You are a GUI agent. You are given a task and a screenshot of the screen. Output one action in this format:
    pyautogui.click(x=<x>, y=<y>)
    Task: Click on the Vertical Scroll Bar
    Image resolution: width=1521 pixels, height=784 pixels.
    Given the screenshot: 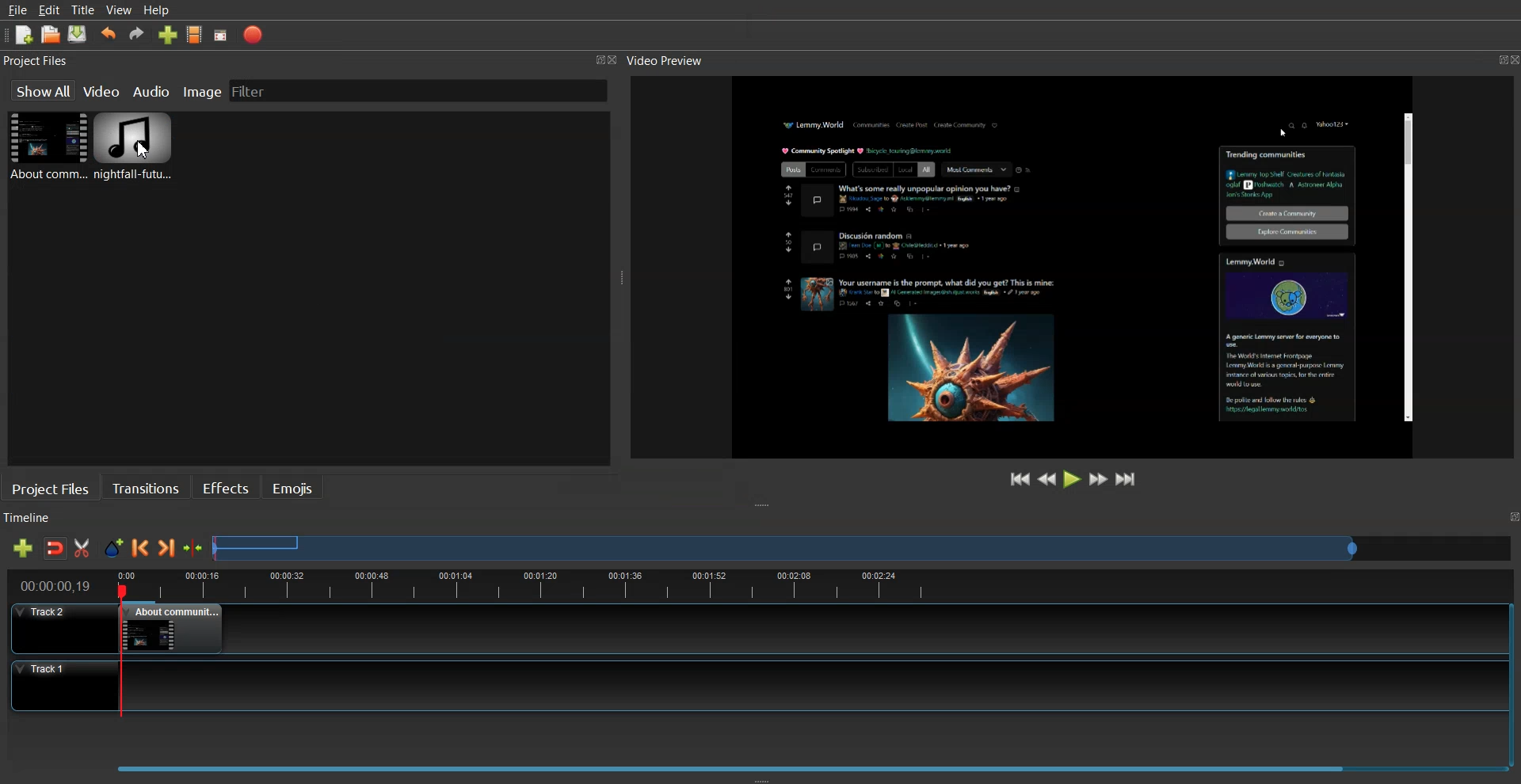 What is the action you would take?
    pyautogui.click(x=1511, y=678)
    